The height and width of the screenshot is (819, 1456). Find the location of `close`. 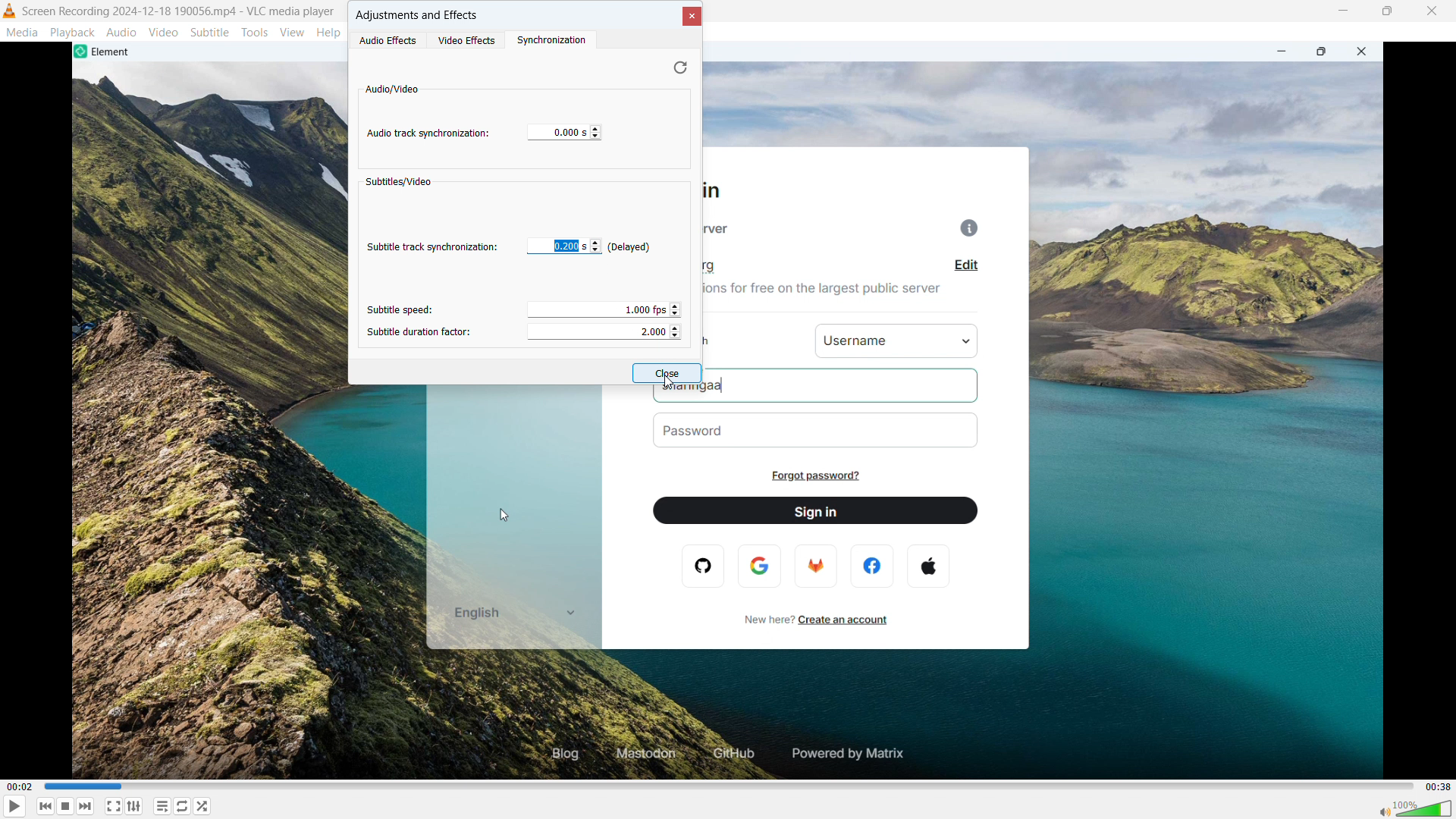

close is located at coordinates (667, 373).